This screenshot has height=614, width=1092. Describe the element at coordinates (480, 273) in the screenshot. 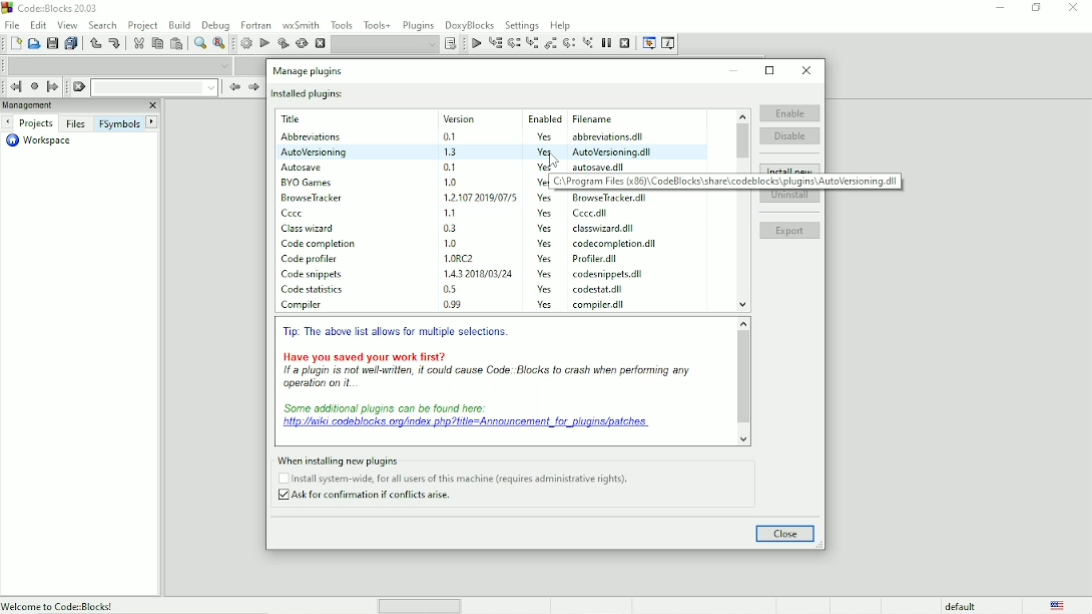

I see `1.4.3 2018/03/24` at that location.